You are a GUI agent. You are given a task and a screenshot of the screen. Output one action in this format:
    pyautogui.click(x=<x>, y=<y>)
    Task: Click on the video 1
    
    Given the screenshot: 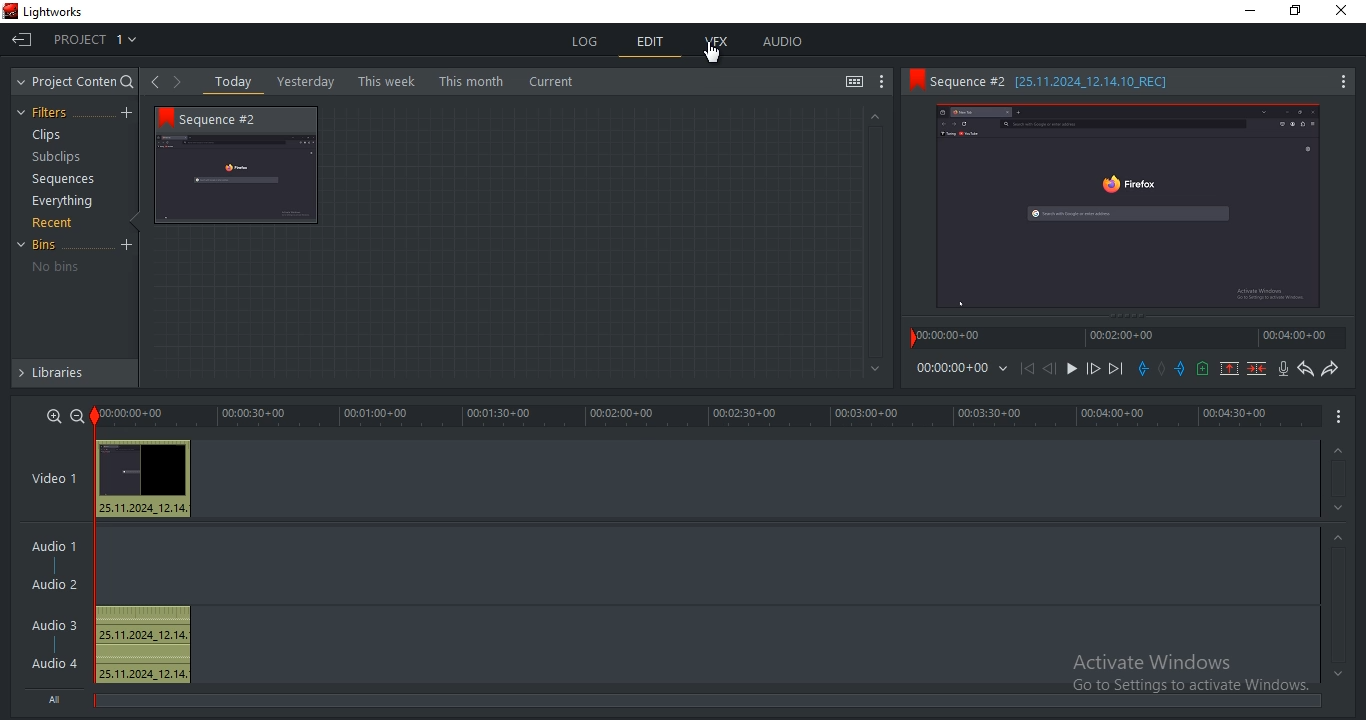 What is the action you would take?
    pyautogui.click(x=54, y=478)
    